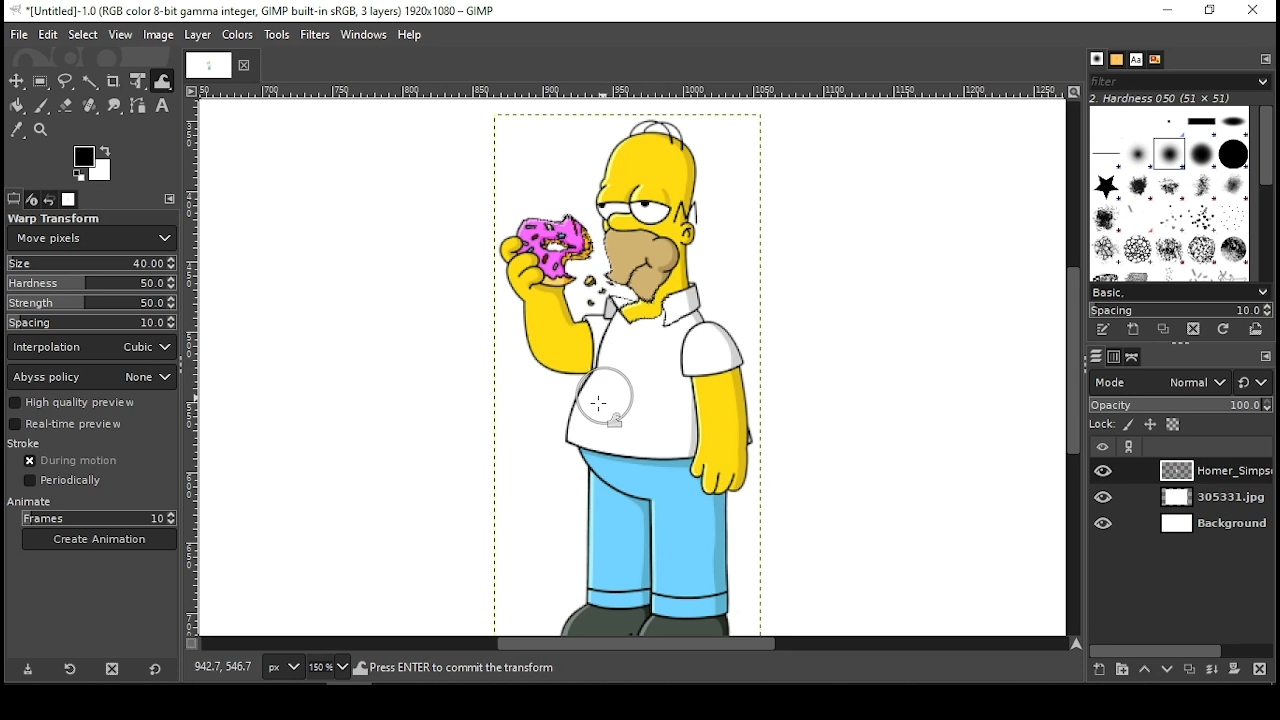  What do you see at coordinates (1129, 447) in the screenshot?
I see `link` at bounding box center [1129, 447].